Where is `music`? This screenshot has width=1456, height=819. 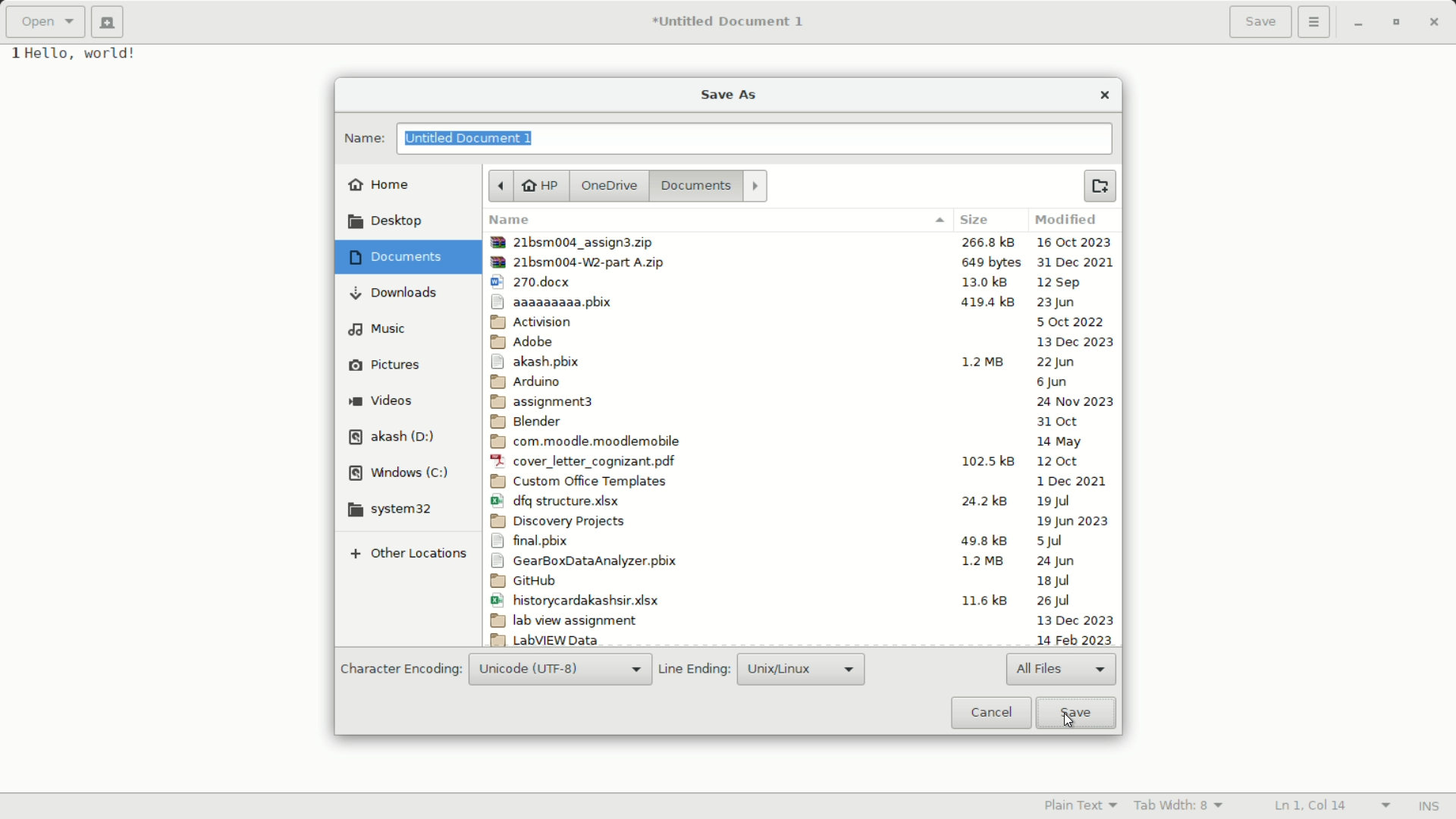
music is located at coordinates (376, 329).